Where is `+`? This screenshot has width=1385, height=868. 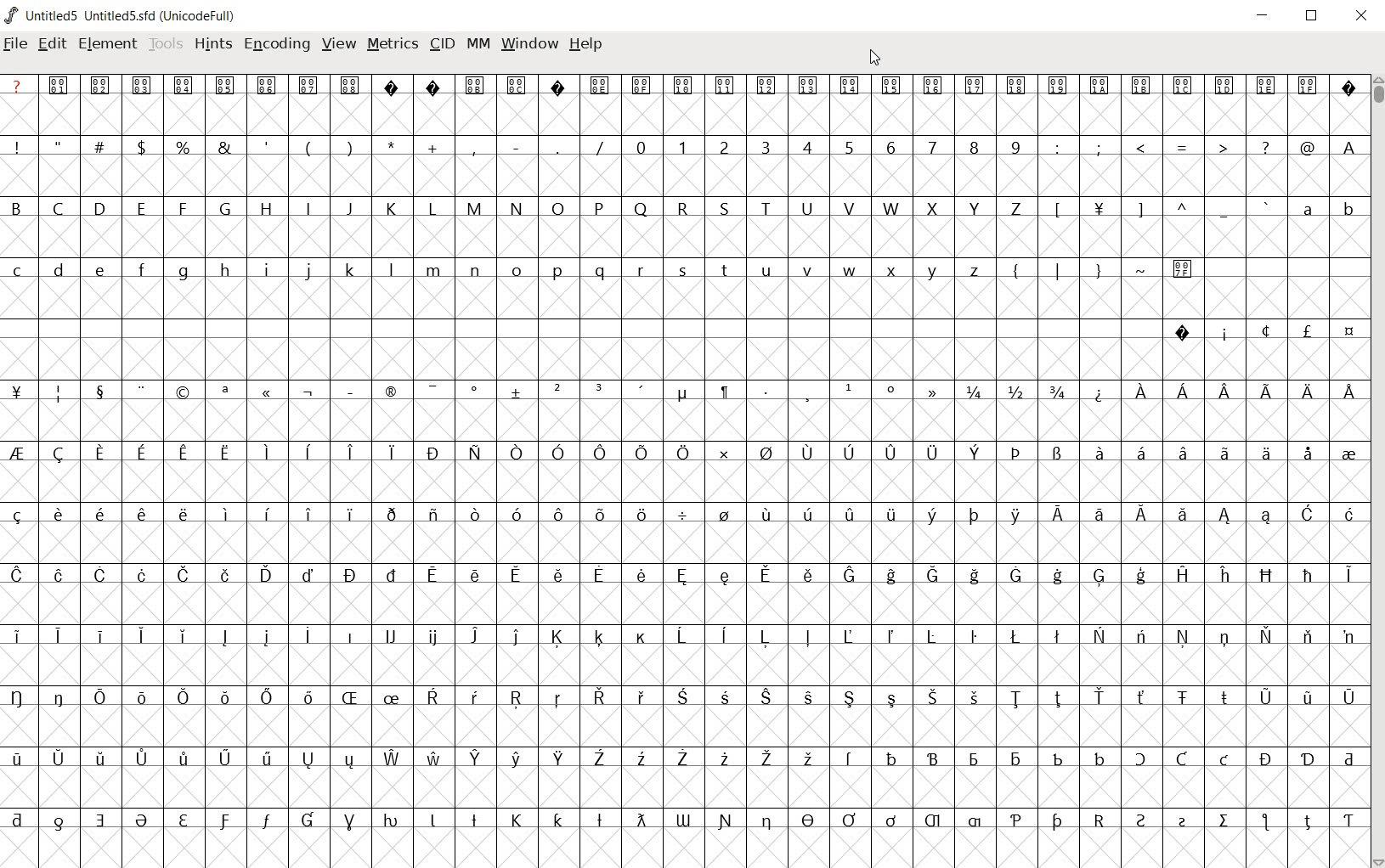 + is located at coordinates (434, 148).